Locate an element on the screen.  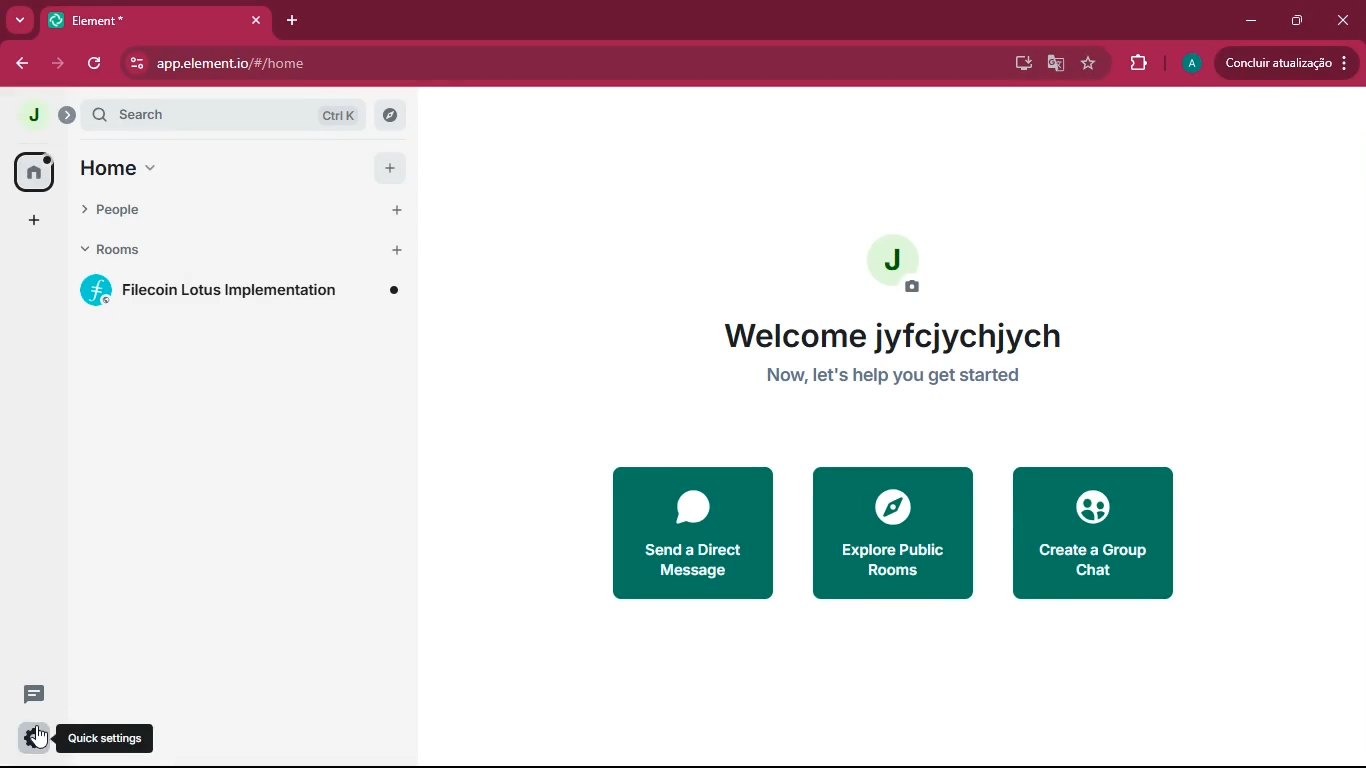
rooms is located at coordinates (210, 252).